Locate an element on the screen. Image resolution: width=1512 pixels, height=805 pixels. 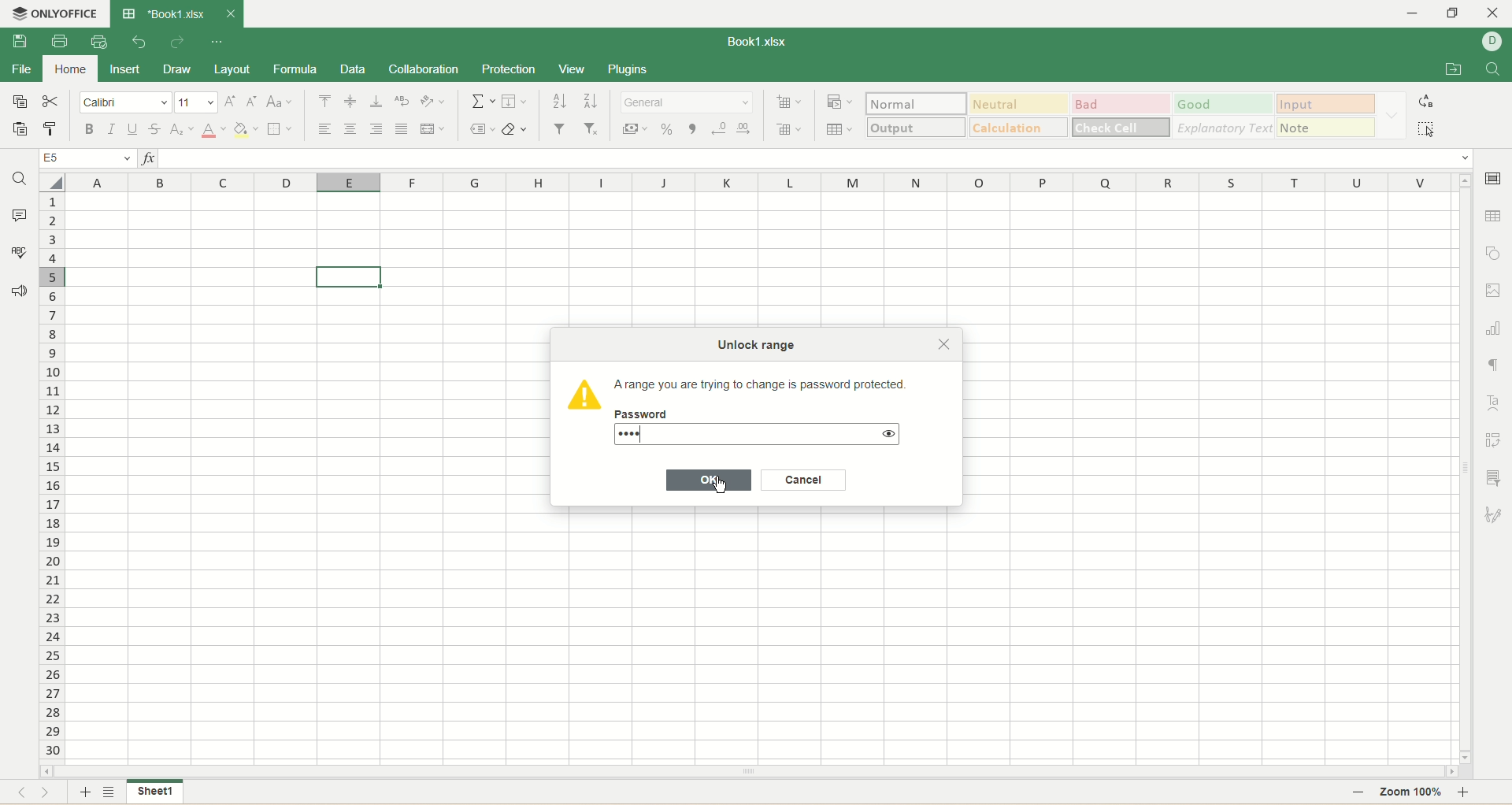
object settings is located at coordinates (1495, 254).